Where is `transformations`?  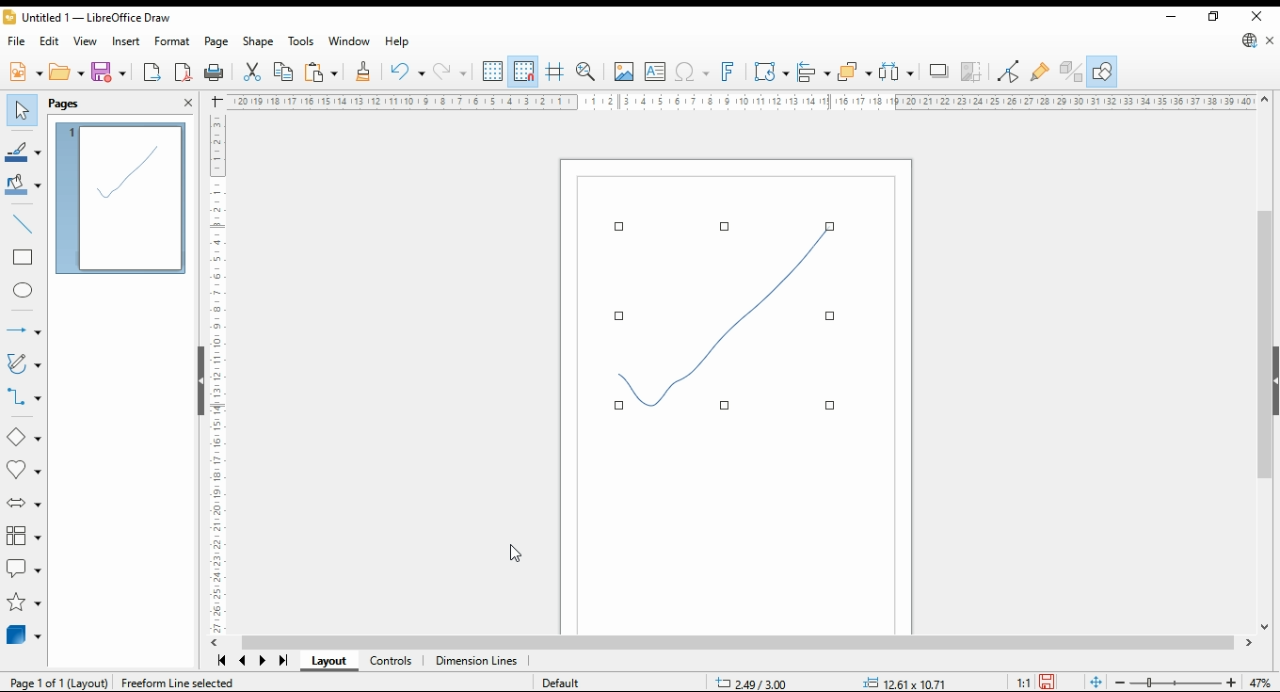
transformations is located at coordinates (770, 72).